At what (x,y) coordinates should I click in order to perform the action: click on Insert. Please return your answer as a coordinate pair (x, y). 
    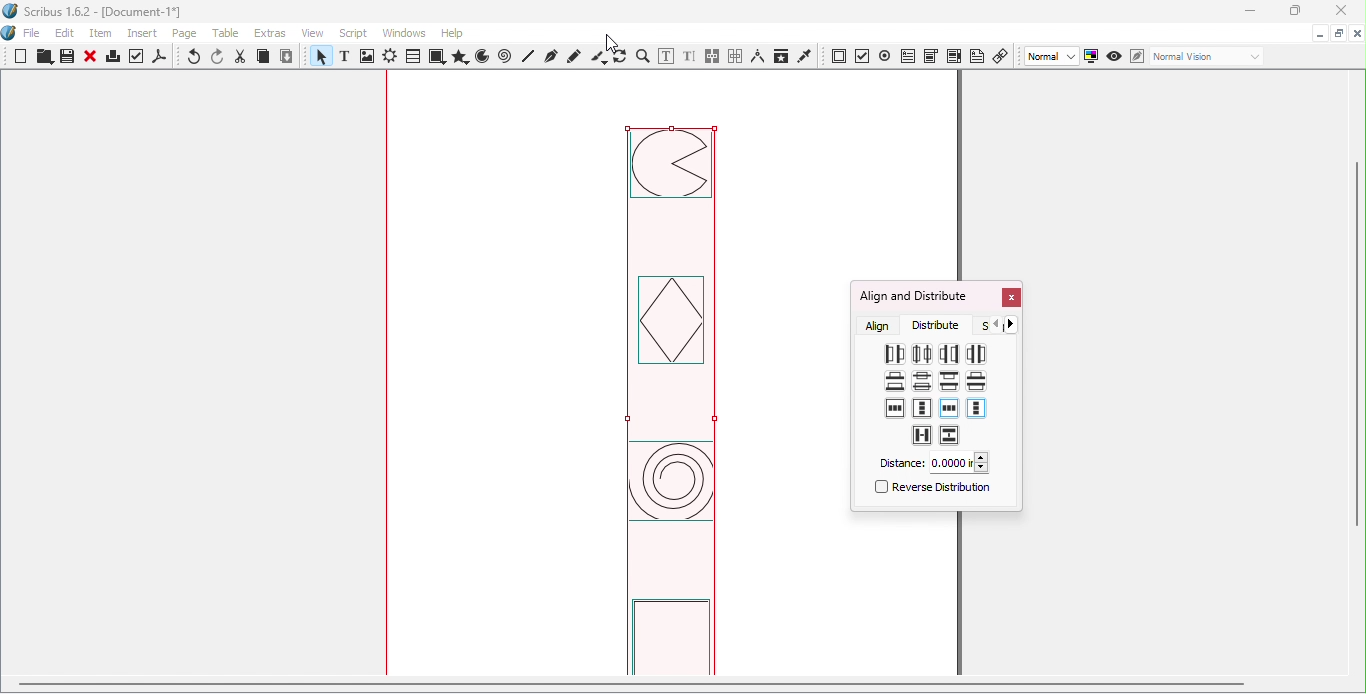
    Looking at the image, I should click on (145, 31).